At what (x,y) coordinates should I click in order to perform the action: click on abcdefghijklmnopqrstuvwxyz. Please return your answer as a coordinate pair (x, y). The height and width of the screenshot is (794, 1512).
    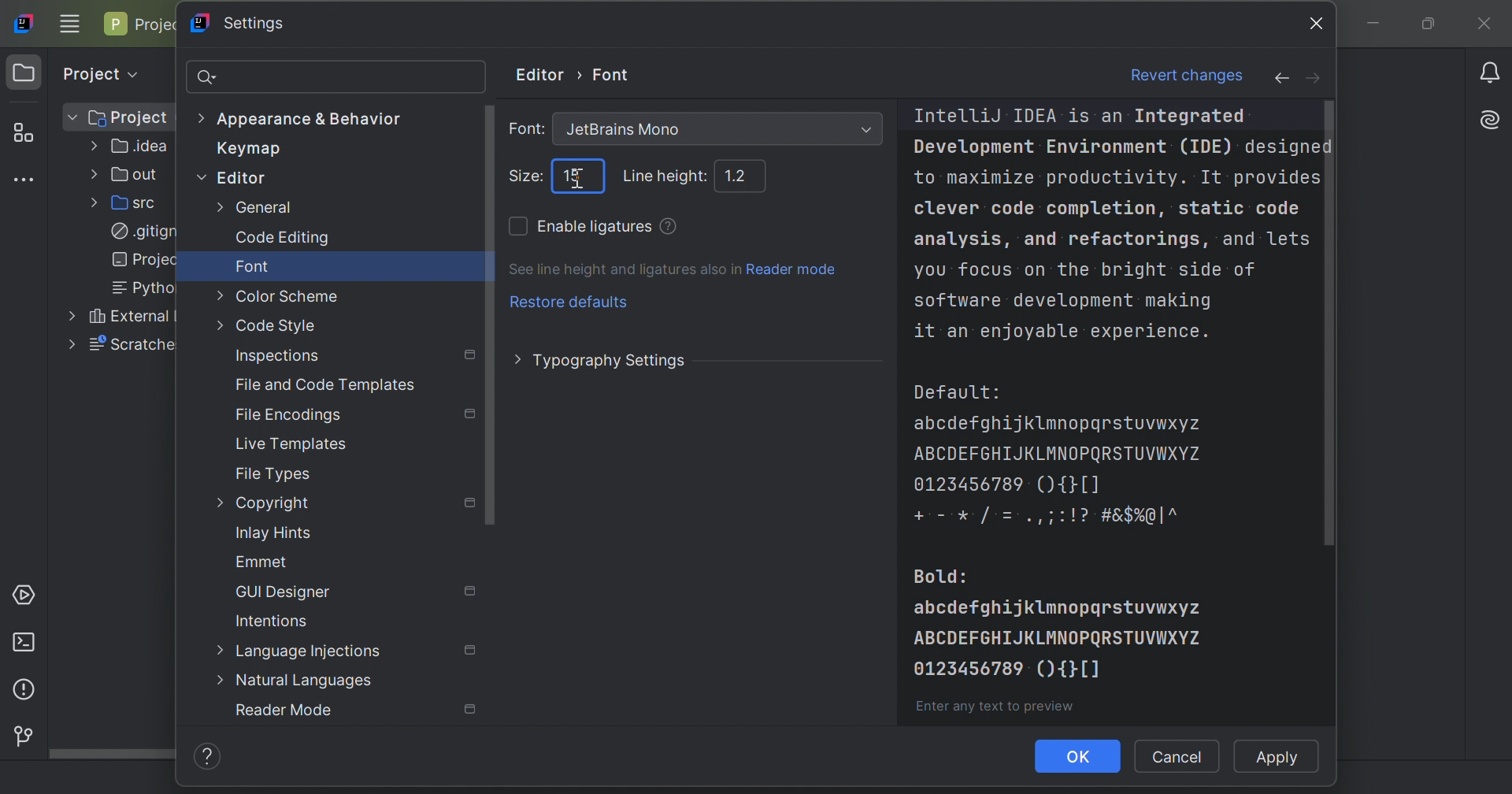
    Looking at the image, I should click on (1058, 607).